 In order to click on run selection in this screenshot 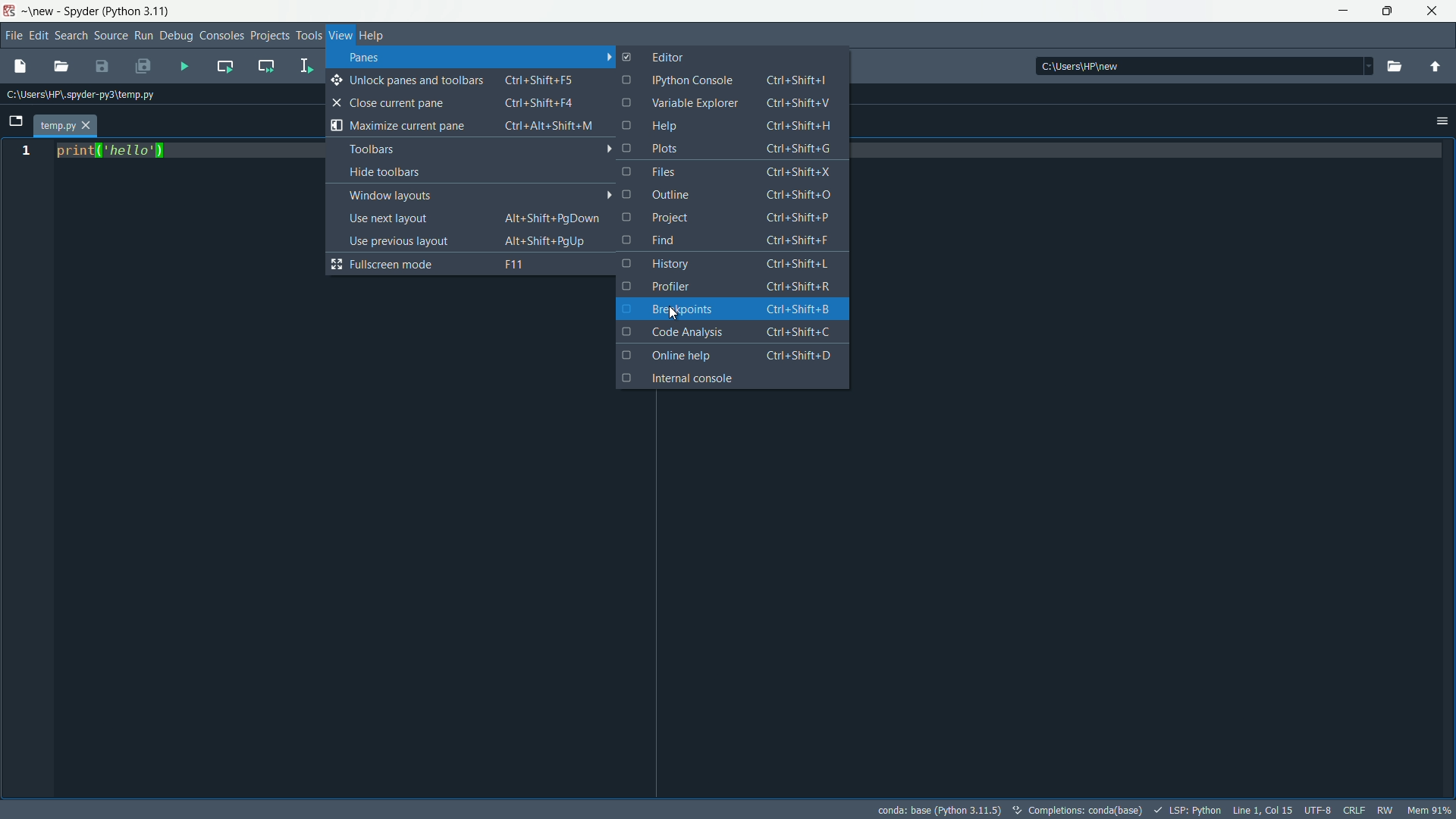, I will do `click(306, 67)`.